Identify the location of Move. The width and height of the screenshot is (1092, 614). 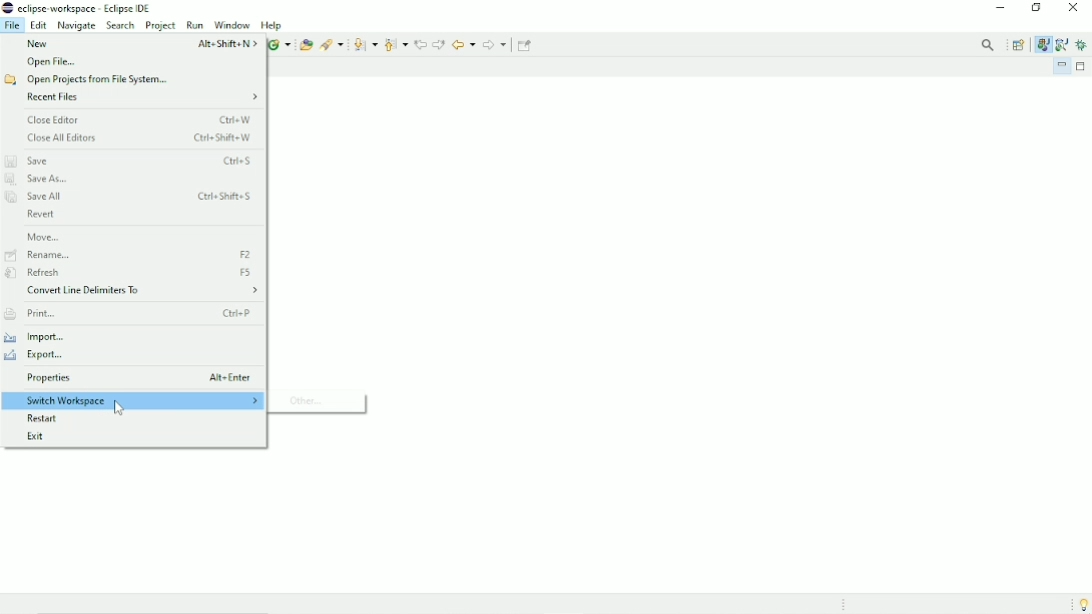
(44, 236).